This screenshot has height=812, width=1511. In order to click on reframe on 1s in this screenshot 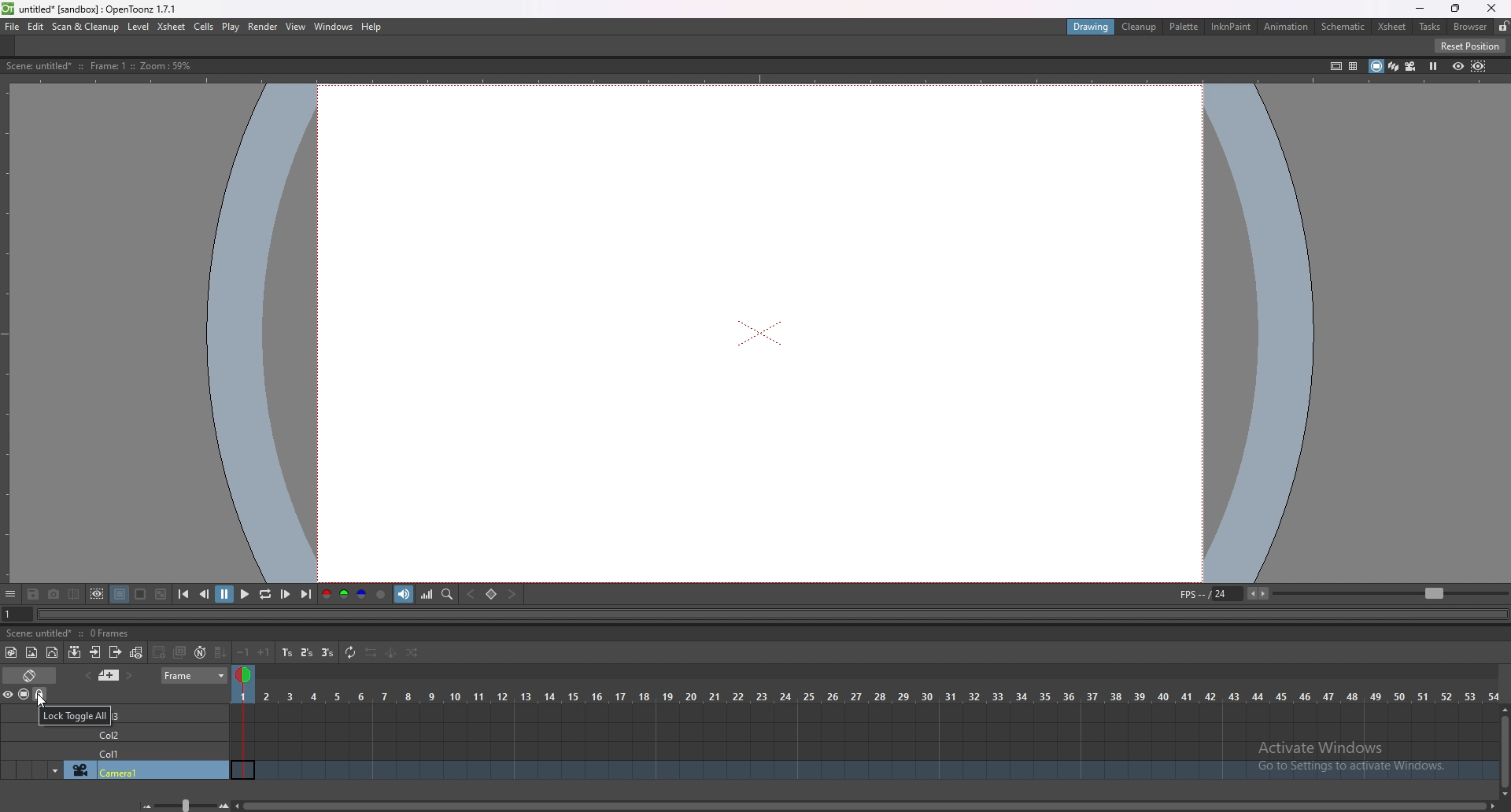, I will do `click(287, 652)`.